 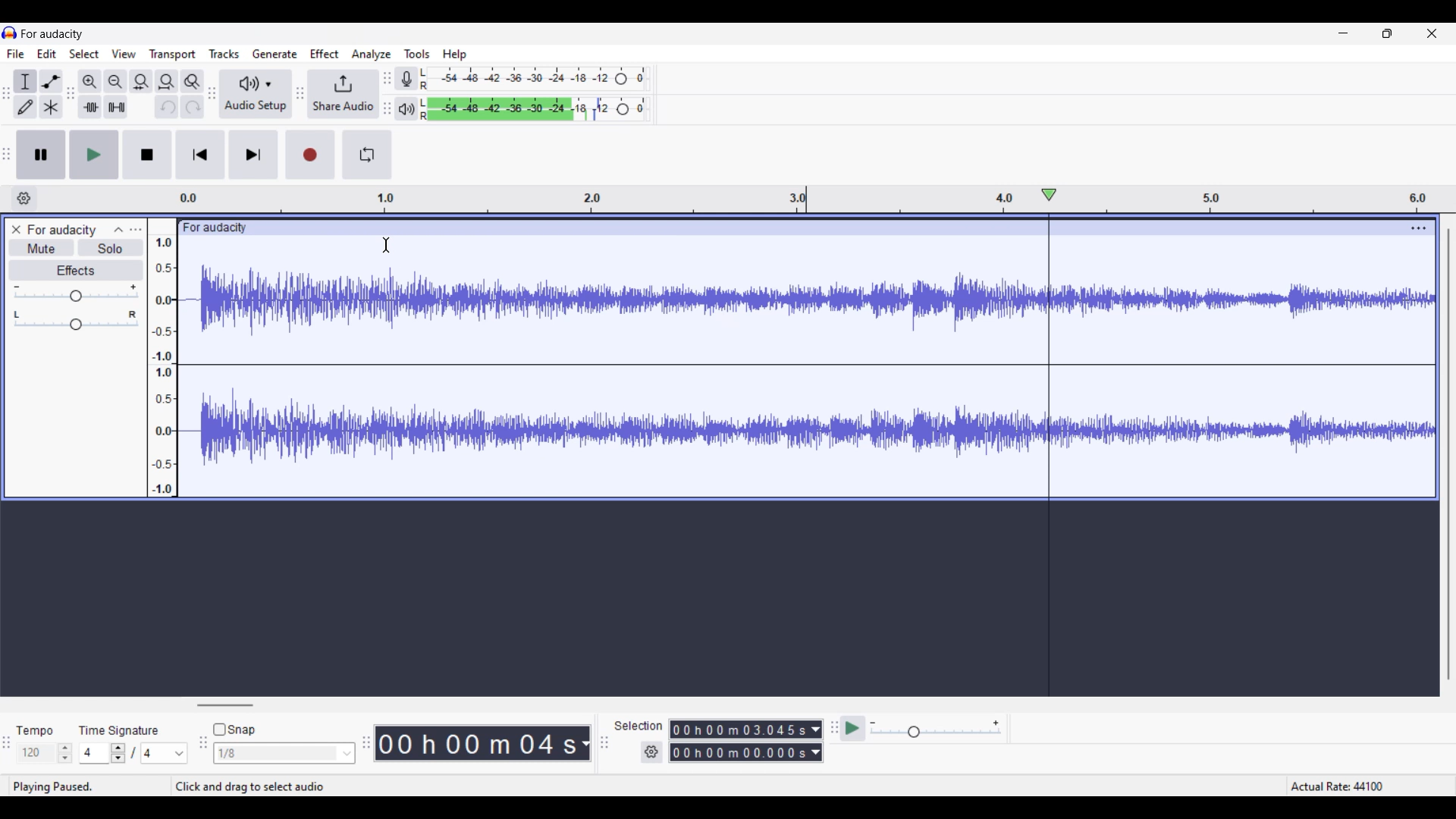 What do you see at coordinates (1448, 453) in the screenshot?
I see `Vertical slide bar` at bounding box center [1448, 453].